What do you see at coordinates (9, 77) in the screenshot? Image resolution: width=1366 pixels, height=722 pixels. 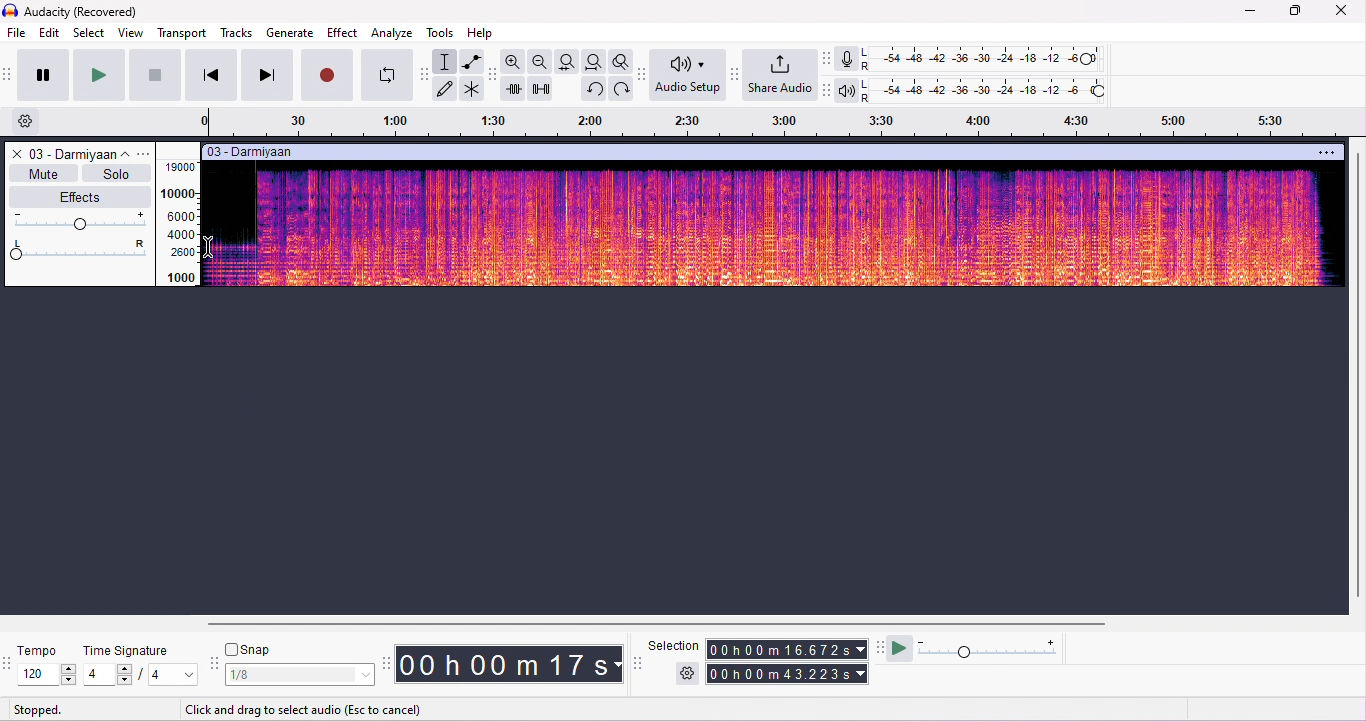 I see `transport toolbar` at bounding box center [9, 77].